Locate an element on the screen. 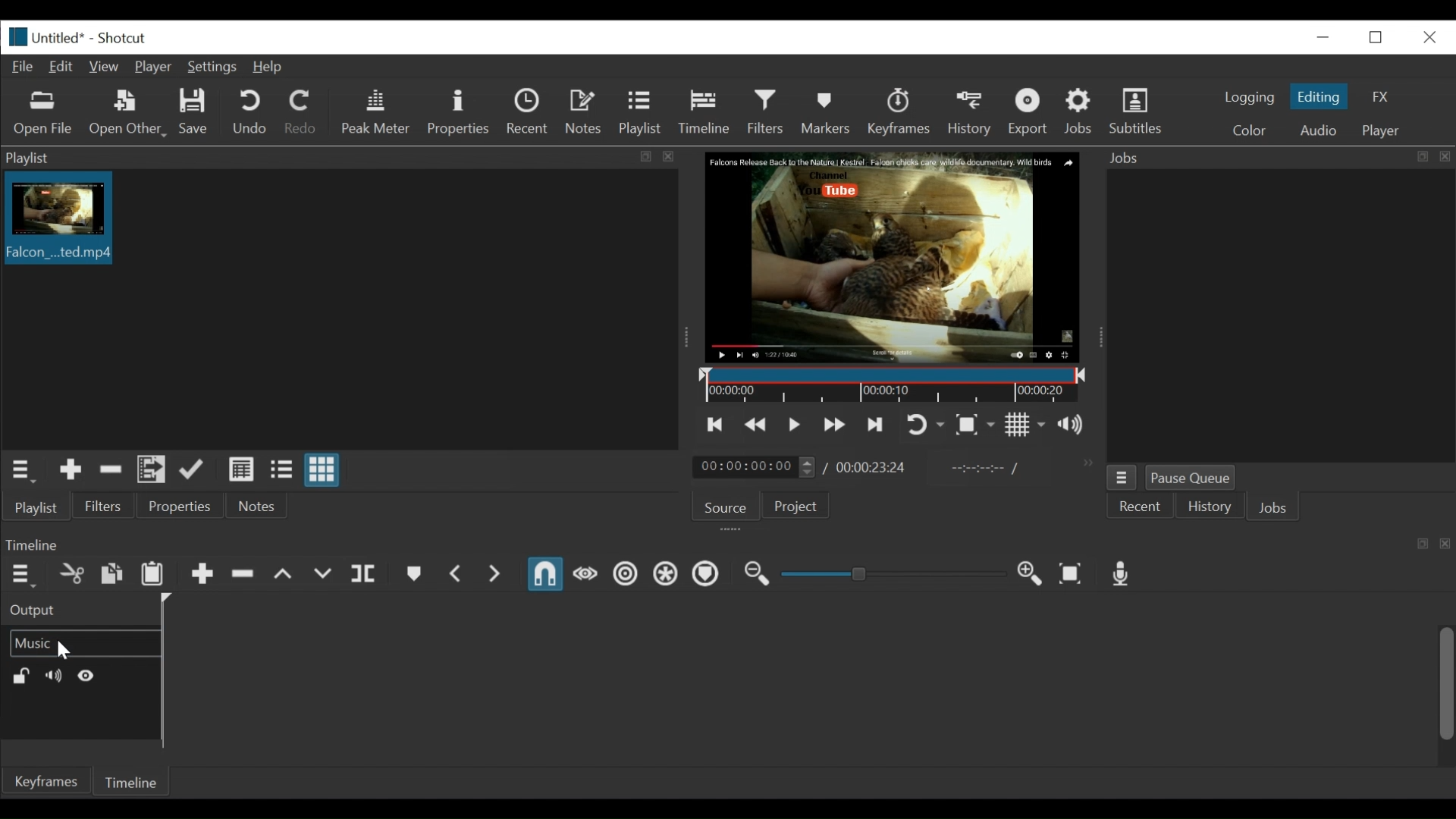 Image resolution: width=1456 pixels, height=819 pixels. Scrub while dragging is located at coordinates (588, 576).